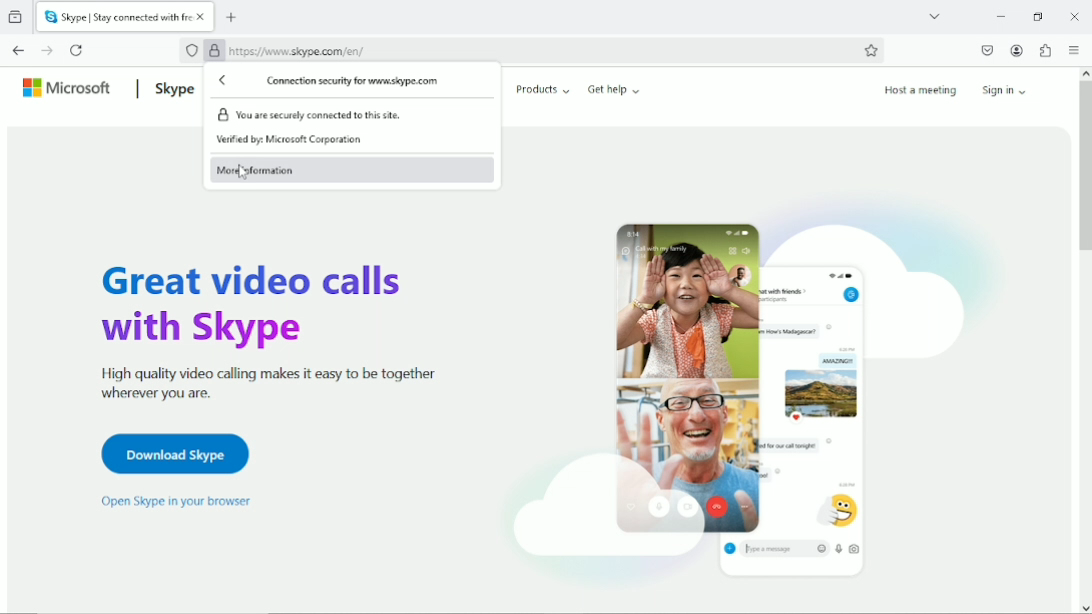 The width and height of the screenshot is (1092, 614). What do you see at coordinates (259, 171) in the screenshot?
I see `More information` at bounding box center [259, 171].